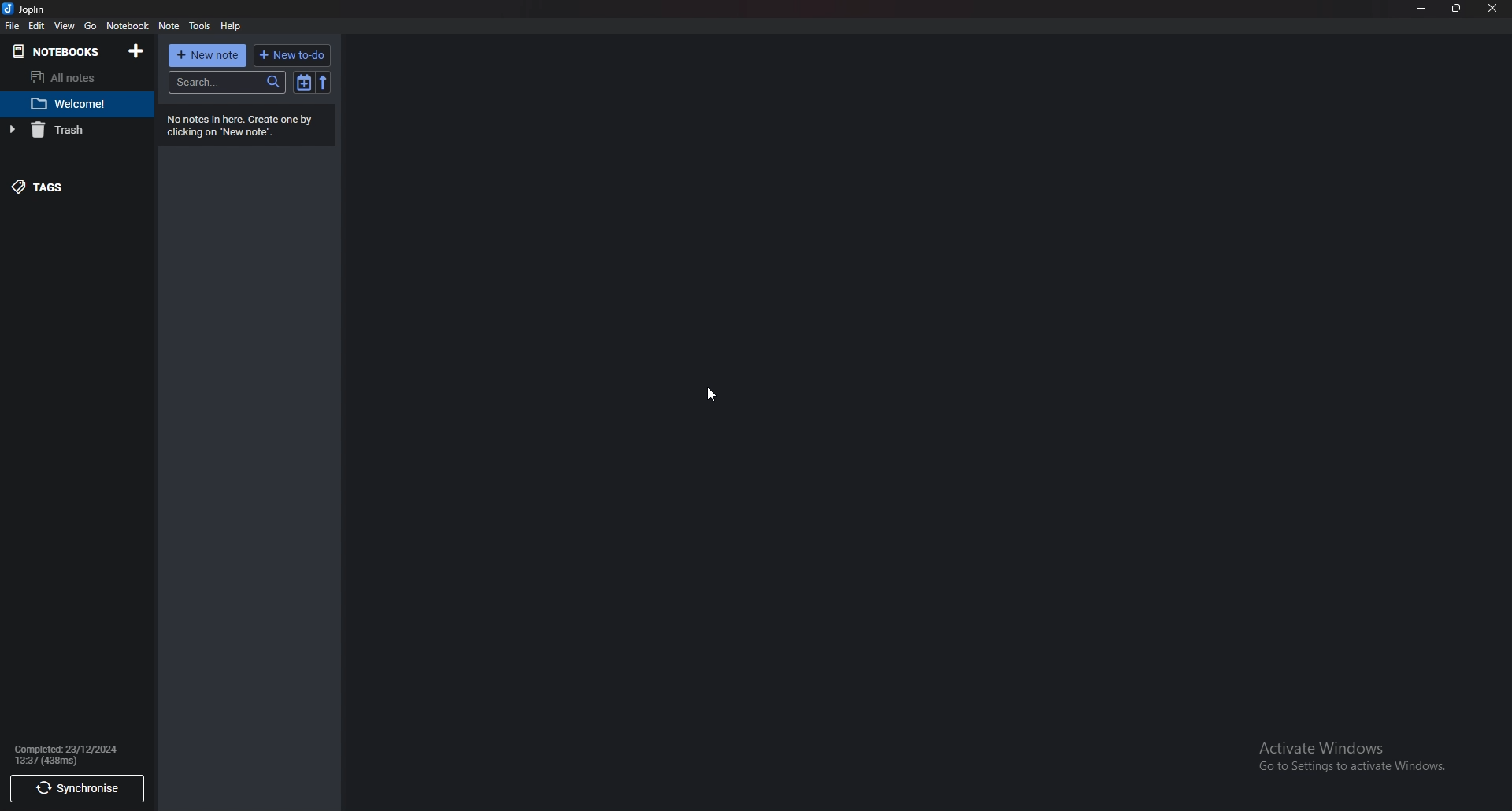 The height and width of the screenshot is (811, 1512). What do you see at coordinates (69, 77) in the screenshot?
I see `All notes` at bounding box center [69, 77].